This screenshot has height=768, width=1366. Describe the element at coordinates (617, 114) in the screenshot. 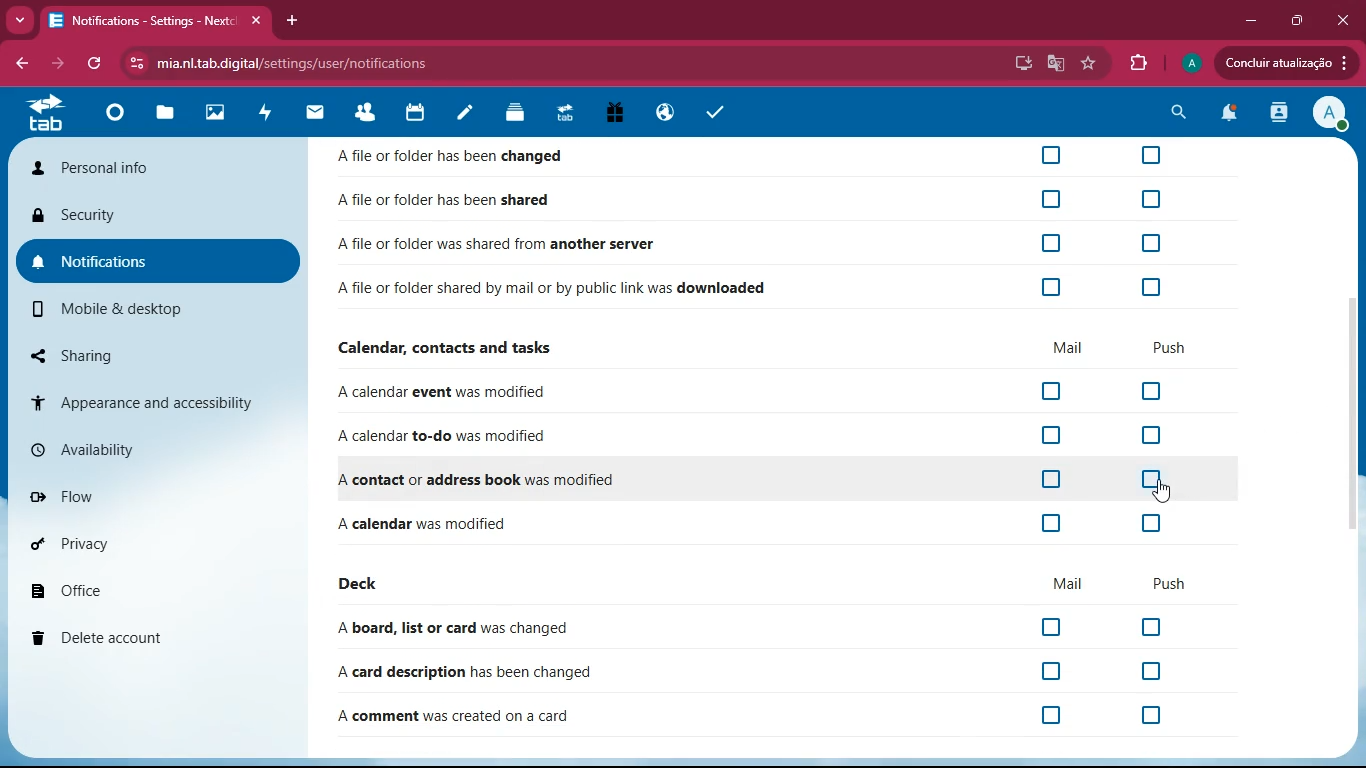

I see `gift` at that location.